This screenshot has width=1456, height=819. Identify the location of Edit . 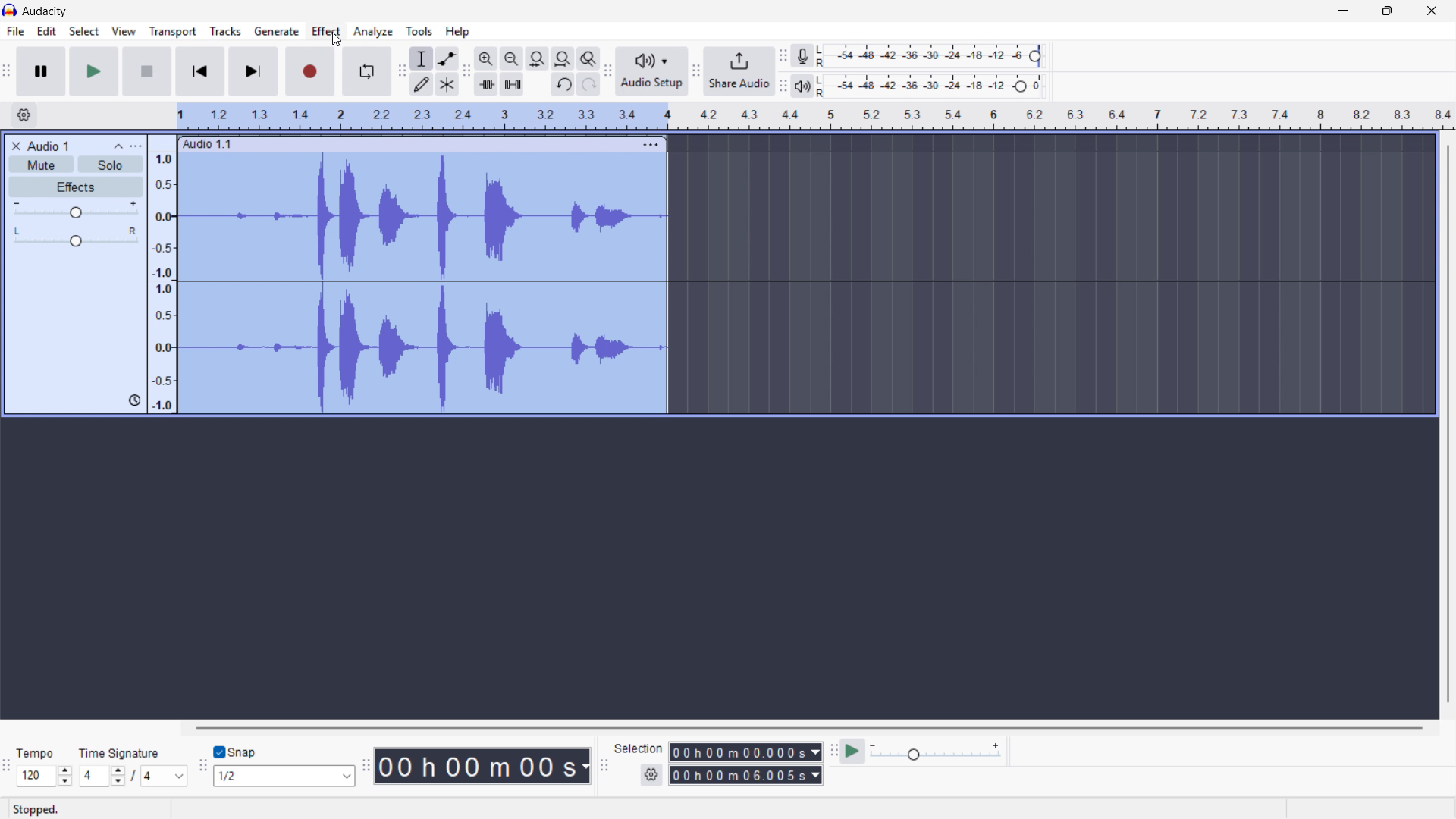
(47, 31).